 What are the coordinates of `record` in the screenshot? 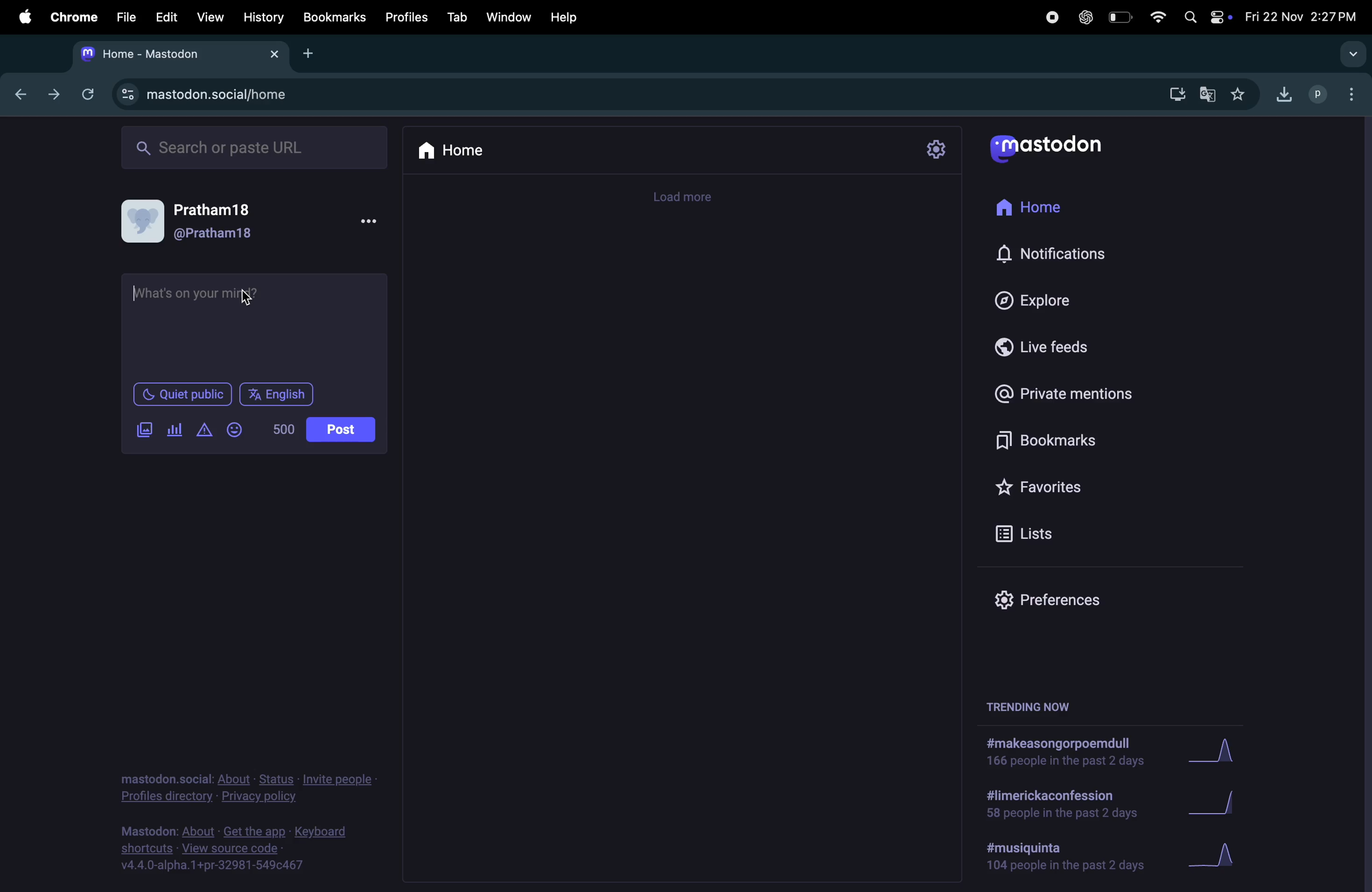 It's located at (1056, 17).